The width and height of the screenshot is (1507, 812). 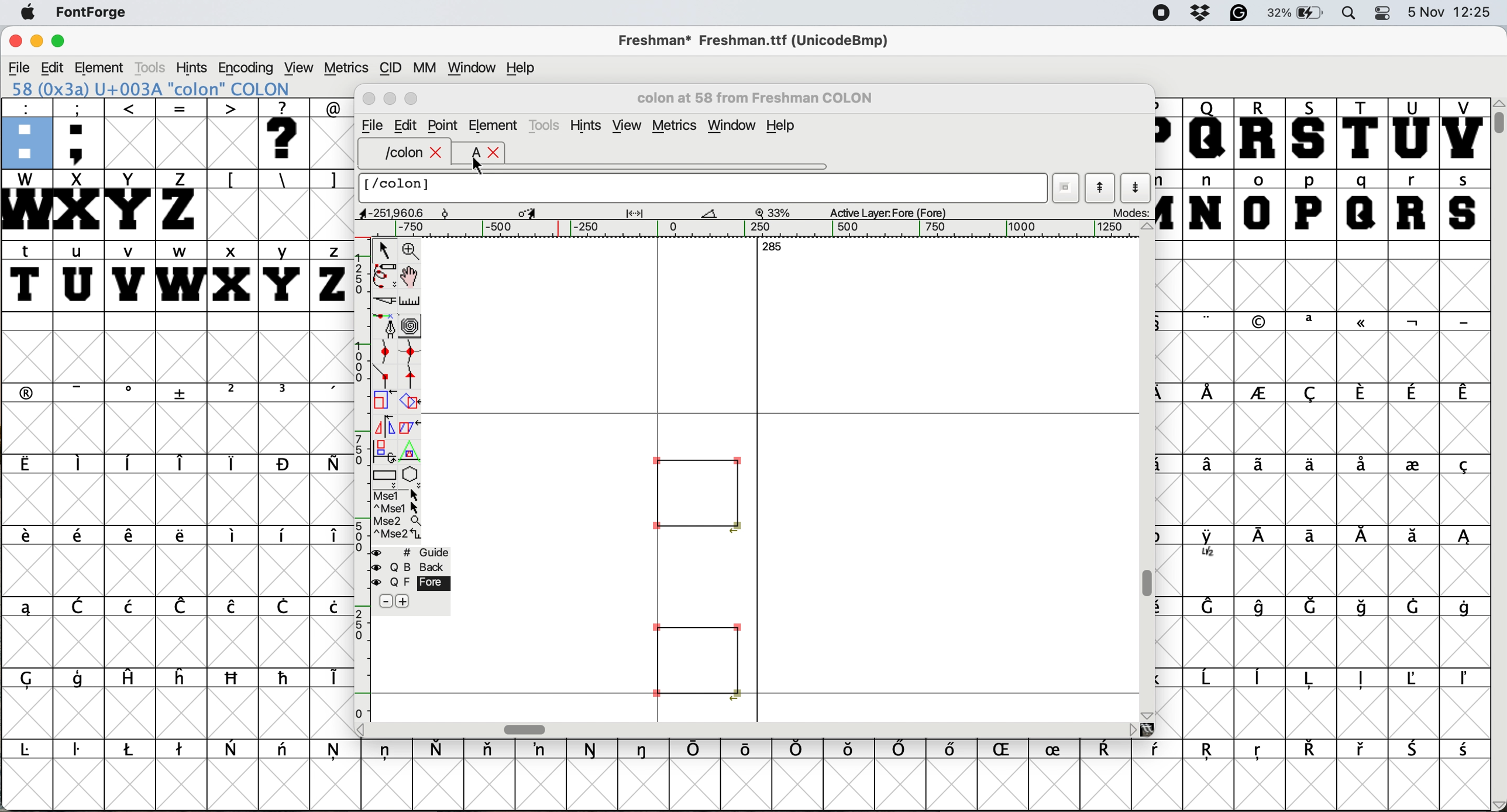 I want to click on symbol, so click(x=180, y=536).